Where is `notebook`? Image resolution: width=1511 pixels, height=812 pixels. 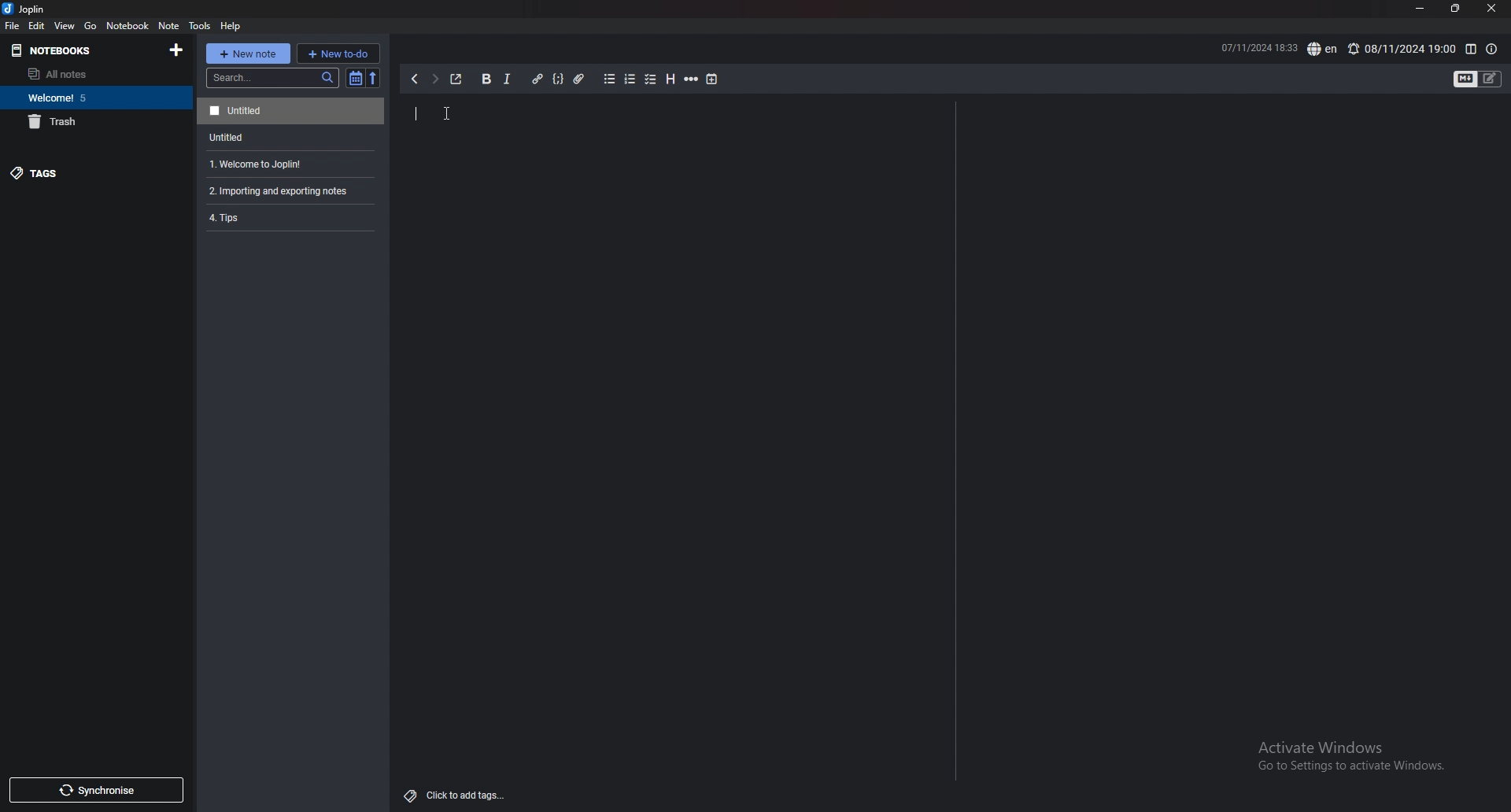 notebook is located at coordinates (128, 25).